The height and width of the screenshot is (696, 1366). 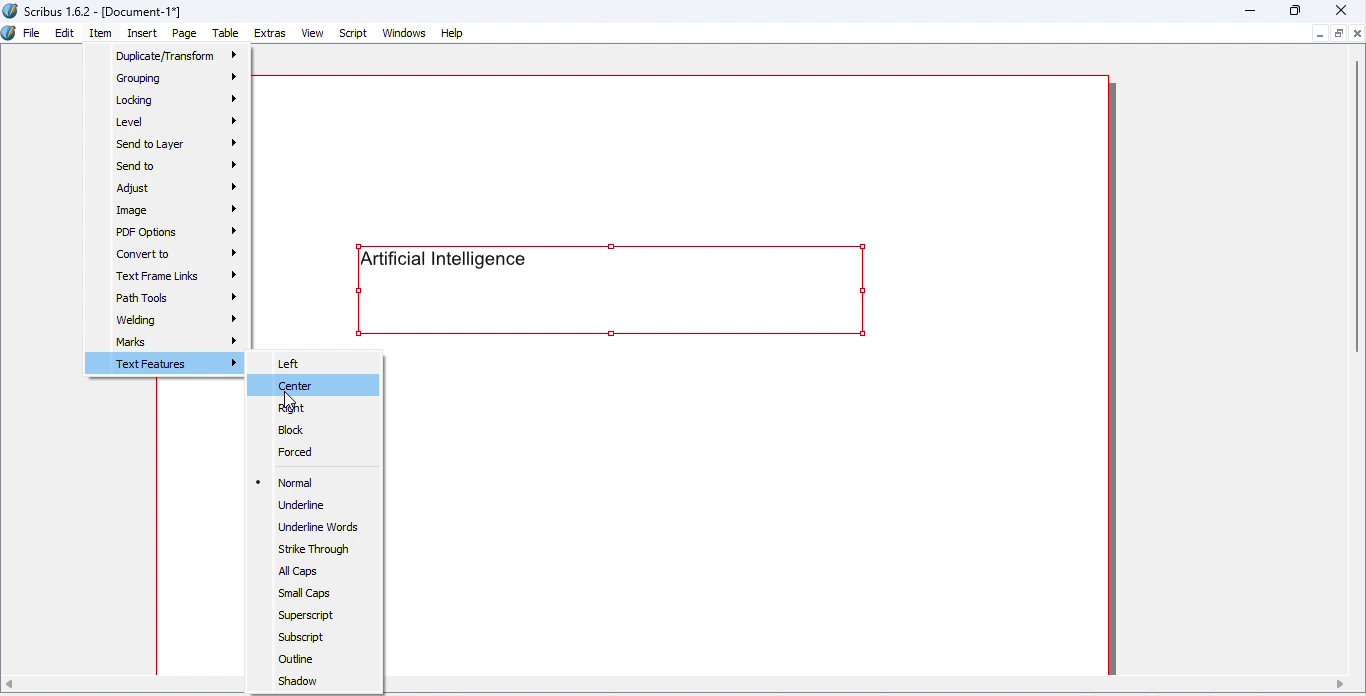 What do you see at coordinates (99, 34) in the screenshot?
I see `Item` at bounding box center [99, 34].